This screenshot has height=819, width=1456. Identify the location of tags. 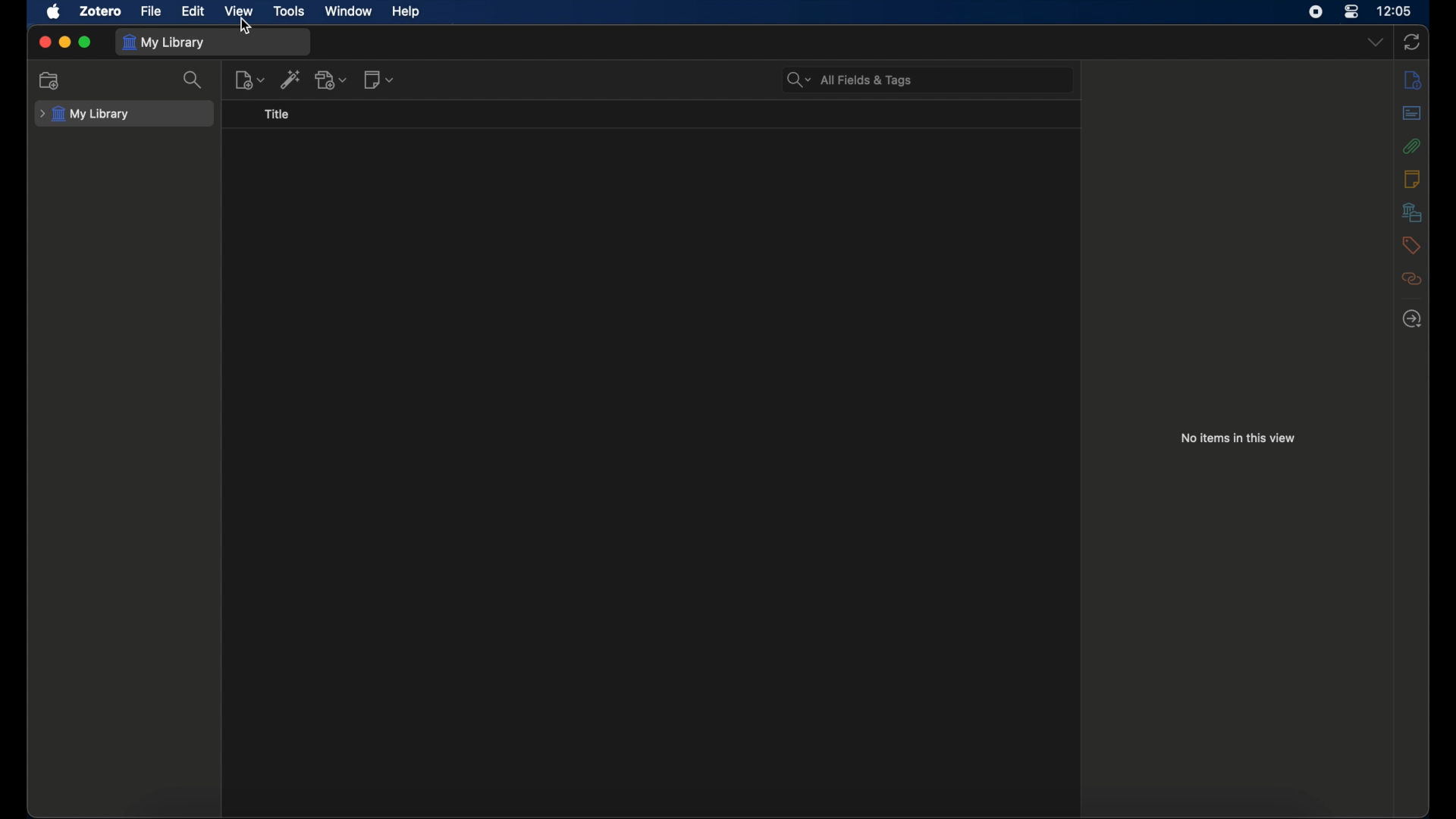
(1411, 244).